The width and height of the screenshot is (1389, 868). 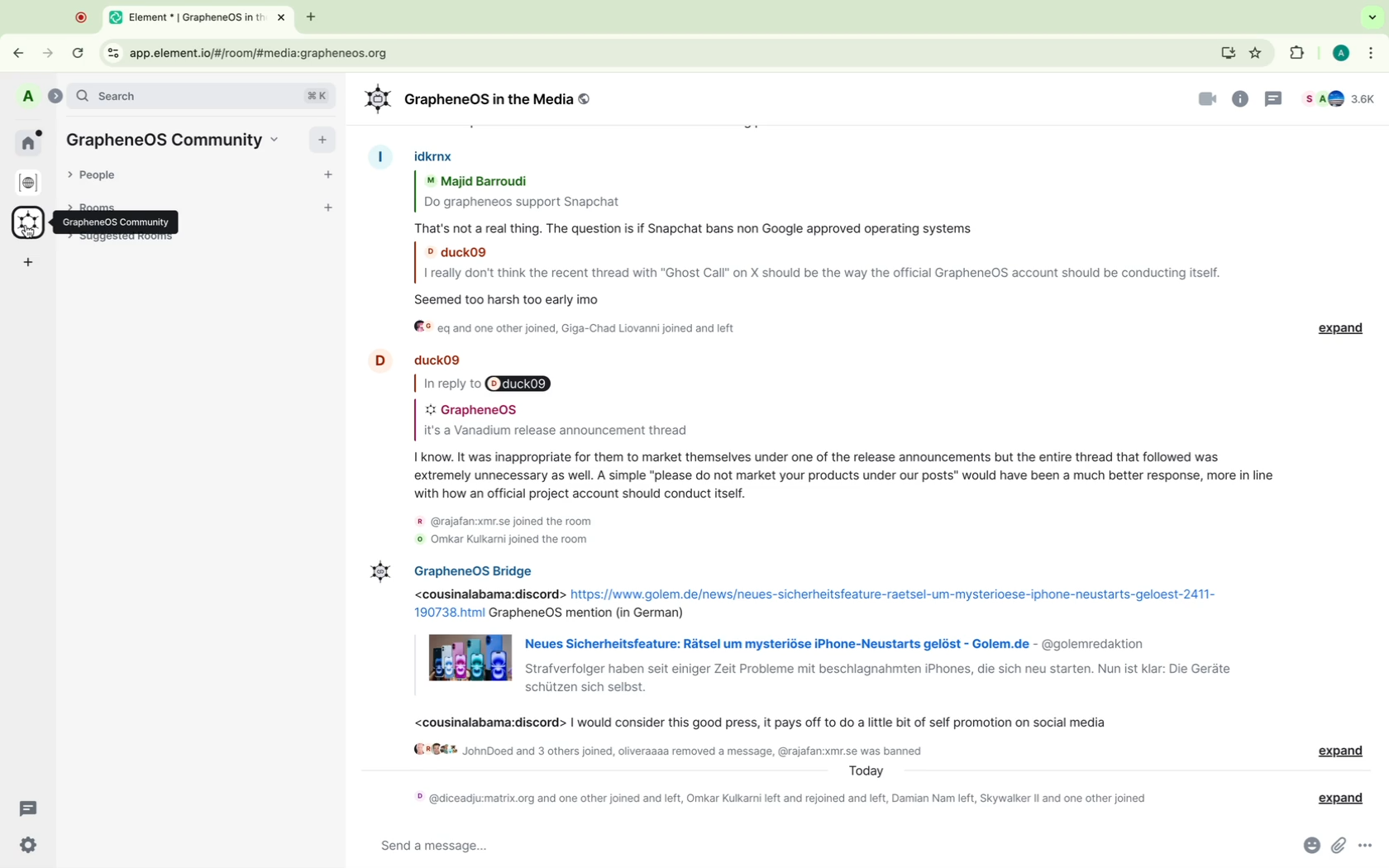 I want to click on attachment, so click(x=1337, y=846).